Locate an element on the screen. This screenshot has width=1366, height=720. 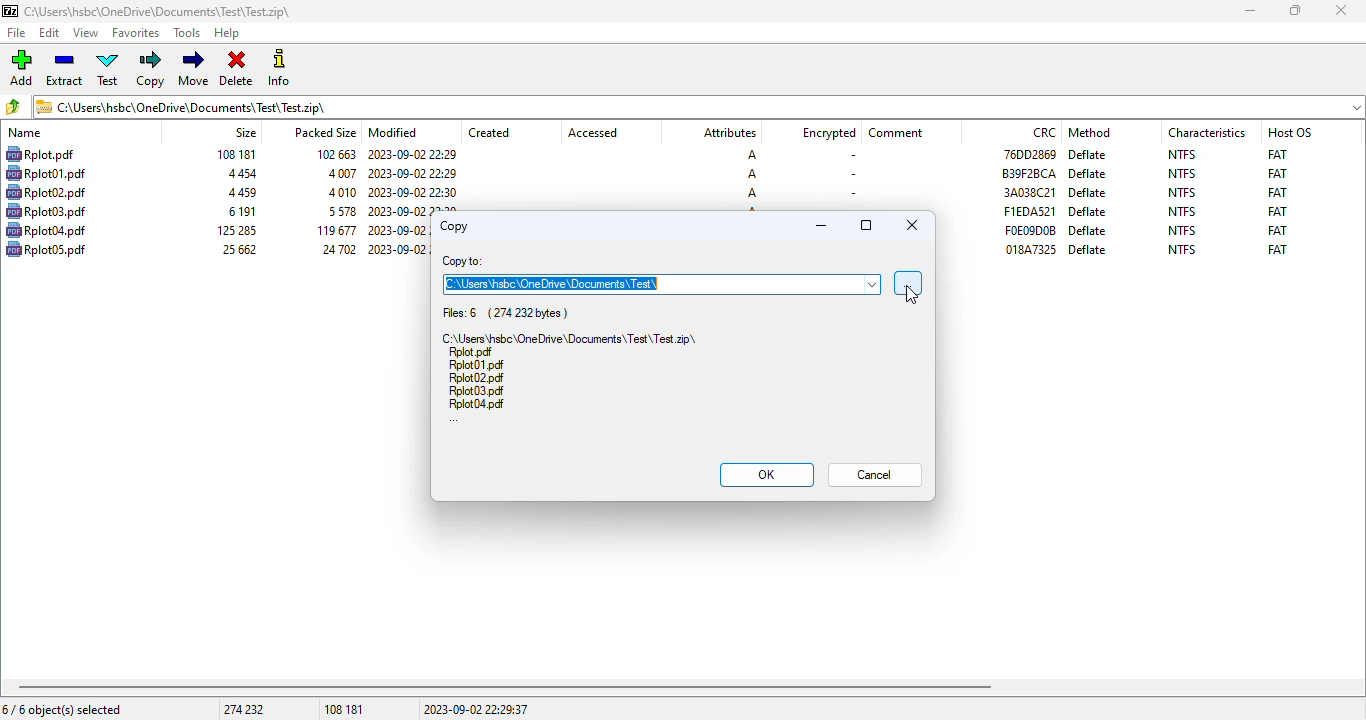
modified date & time is located at coordinates (412, 155).